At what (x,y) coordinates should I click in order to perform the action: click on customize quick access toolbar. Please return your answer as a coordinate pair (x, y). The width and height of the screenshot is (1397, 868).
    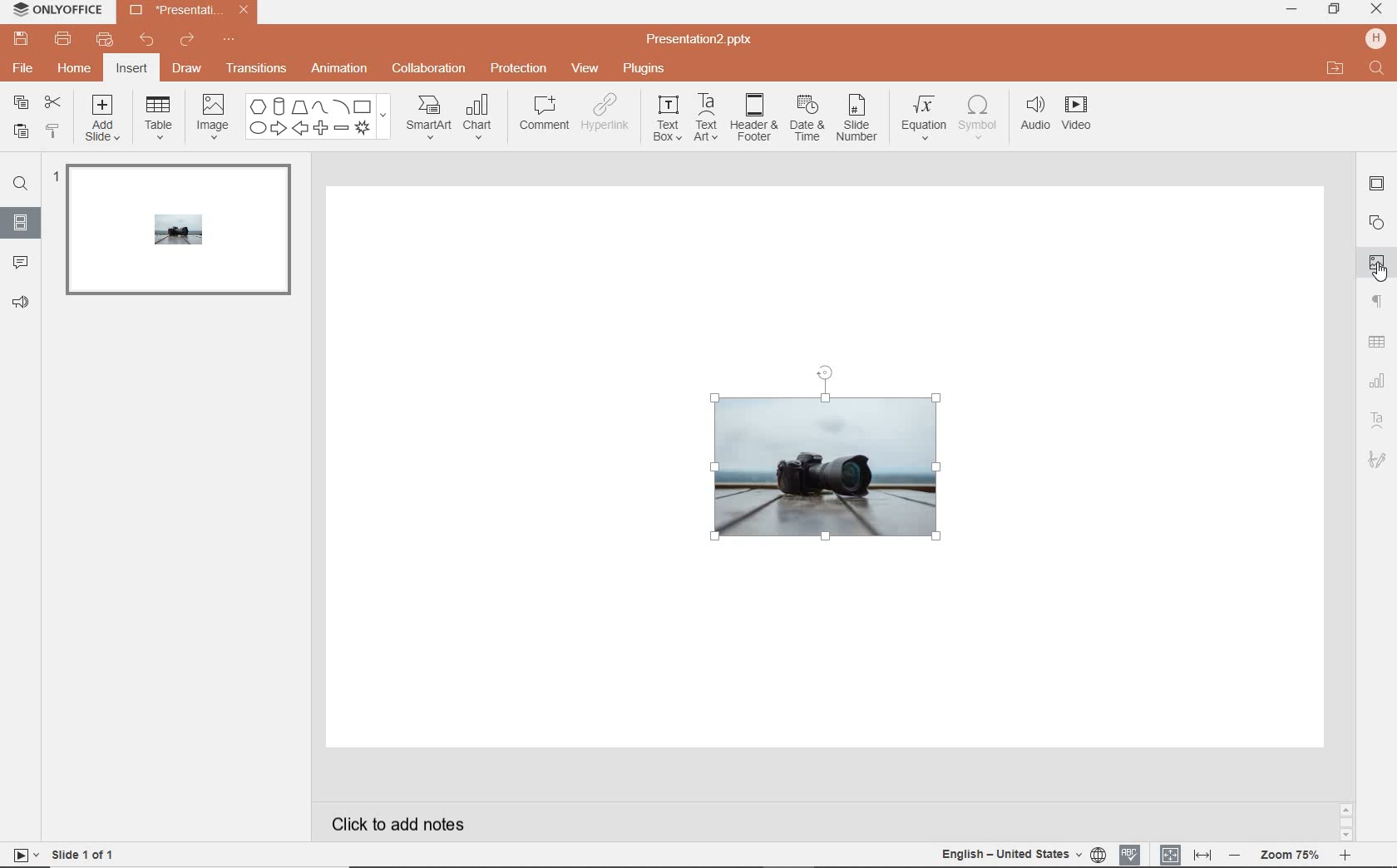
    Looking at the image, I should click on (239, 42).